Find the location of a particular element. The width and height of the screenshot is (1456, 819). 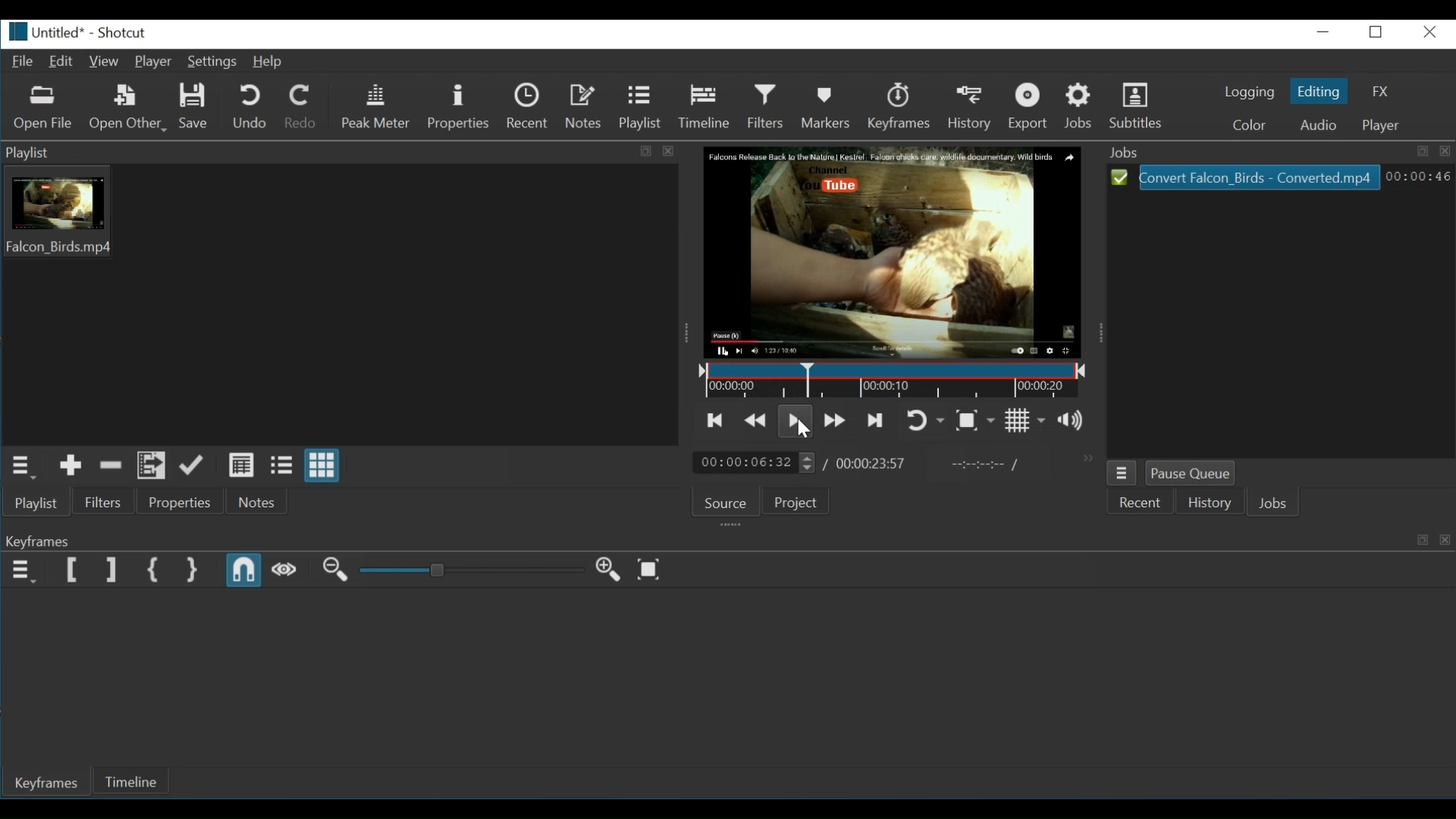

Properties is located at coordinates (179, 502).